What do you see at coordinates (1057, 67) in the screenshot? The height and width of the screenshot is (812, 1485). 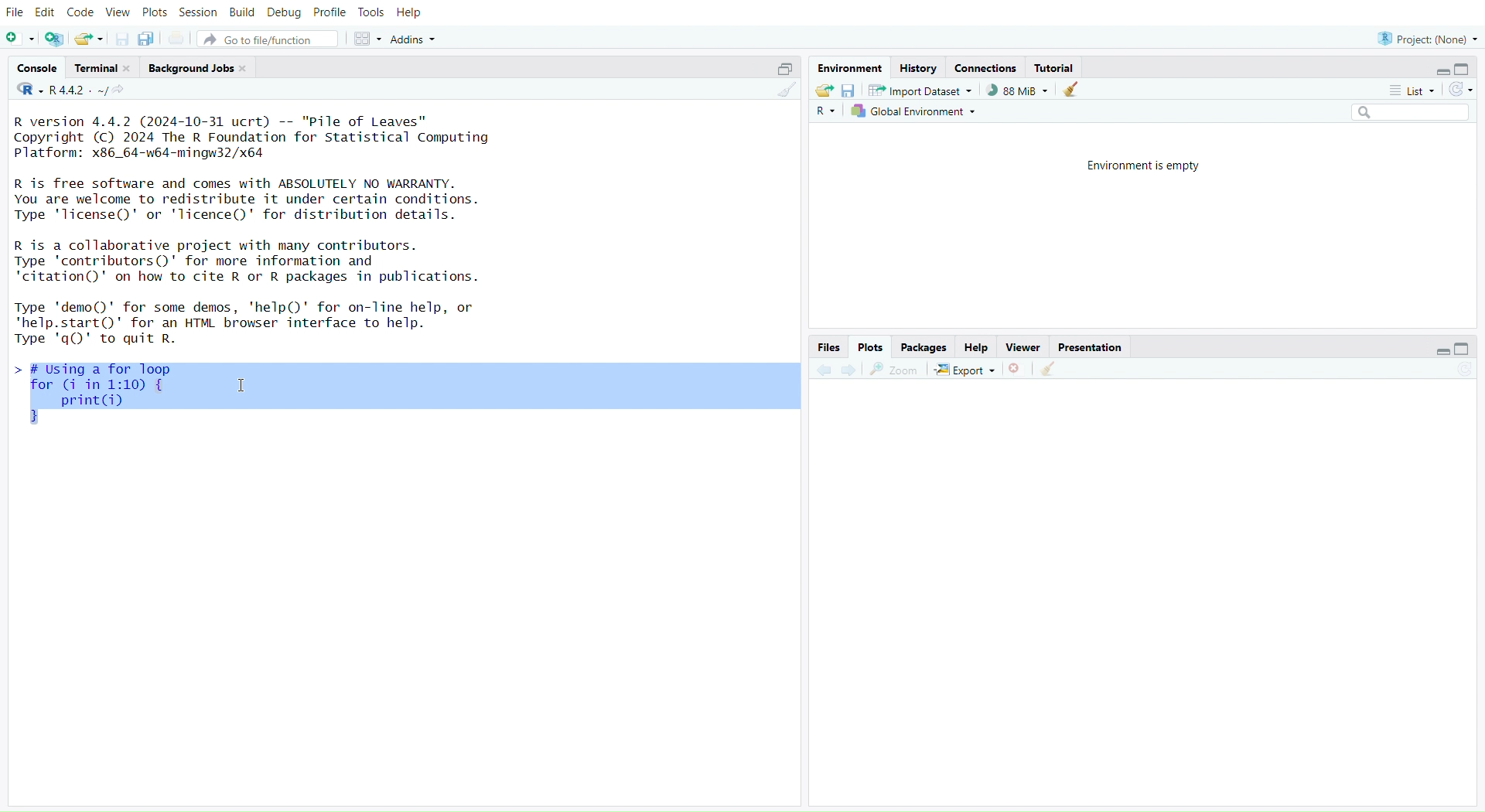 I see `tutorial` at bounding box center [1057, 67].